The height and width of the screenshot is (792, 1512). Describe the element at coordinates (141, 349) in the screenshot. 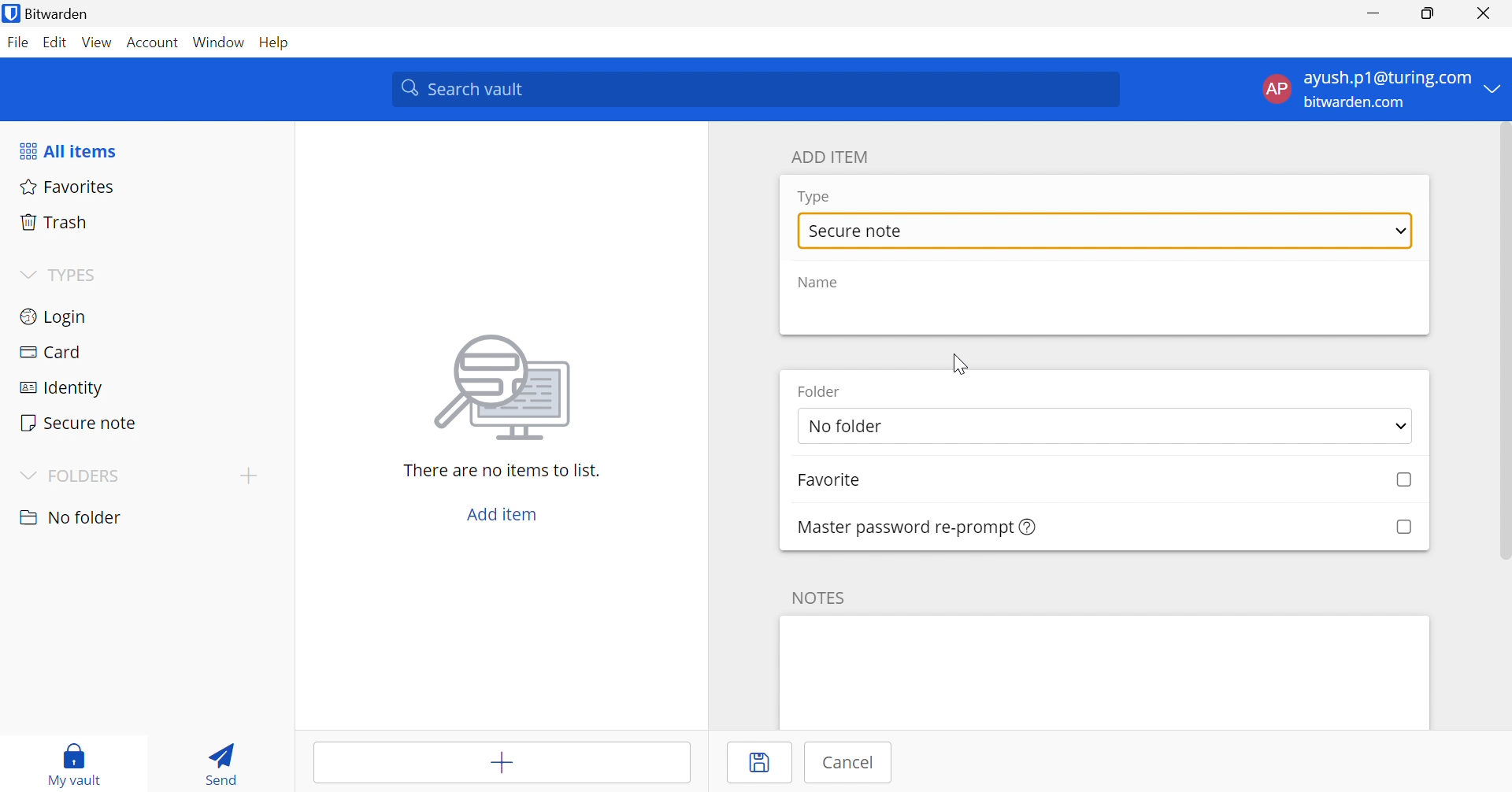

I see `Card` at that location.